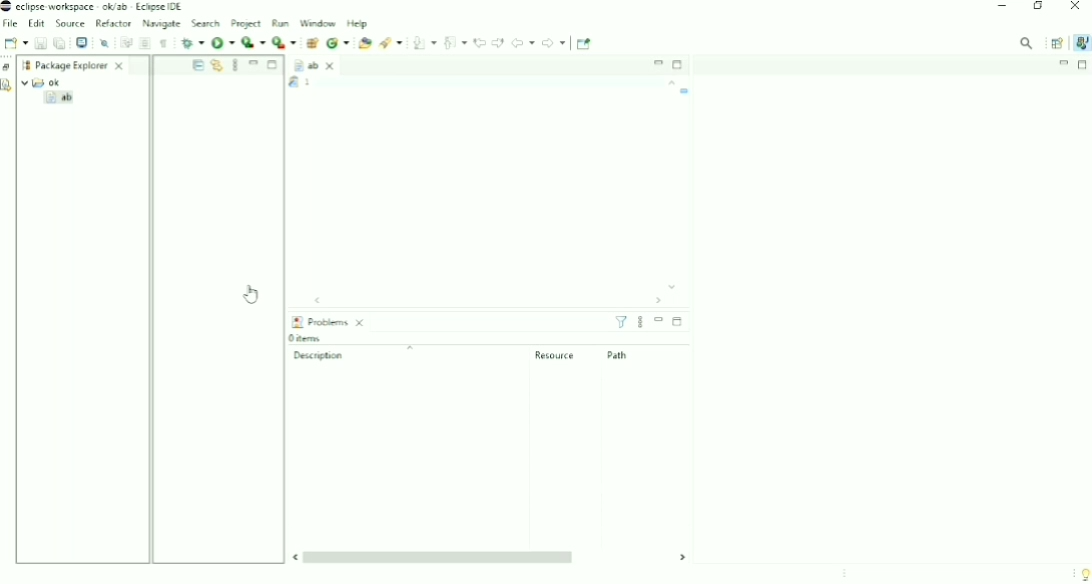 This screenshot has height=584, width=1092. I want to click on Maximize, so click(274, 66).